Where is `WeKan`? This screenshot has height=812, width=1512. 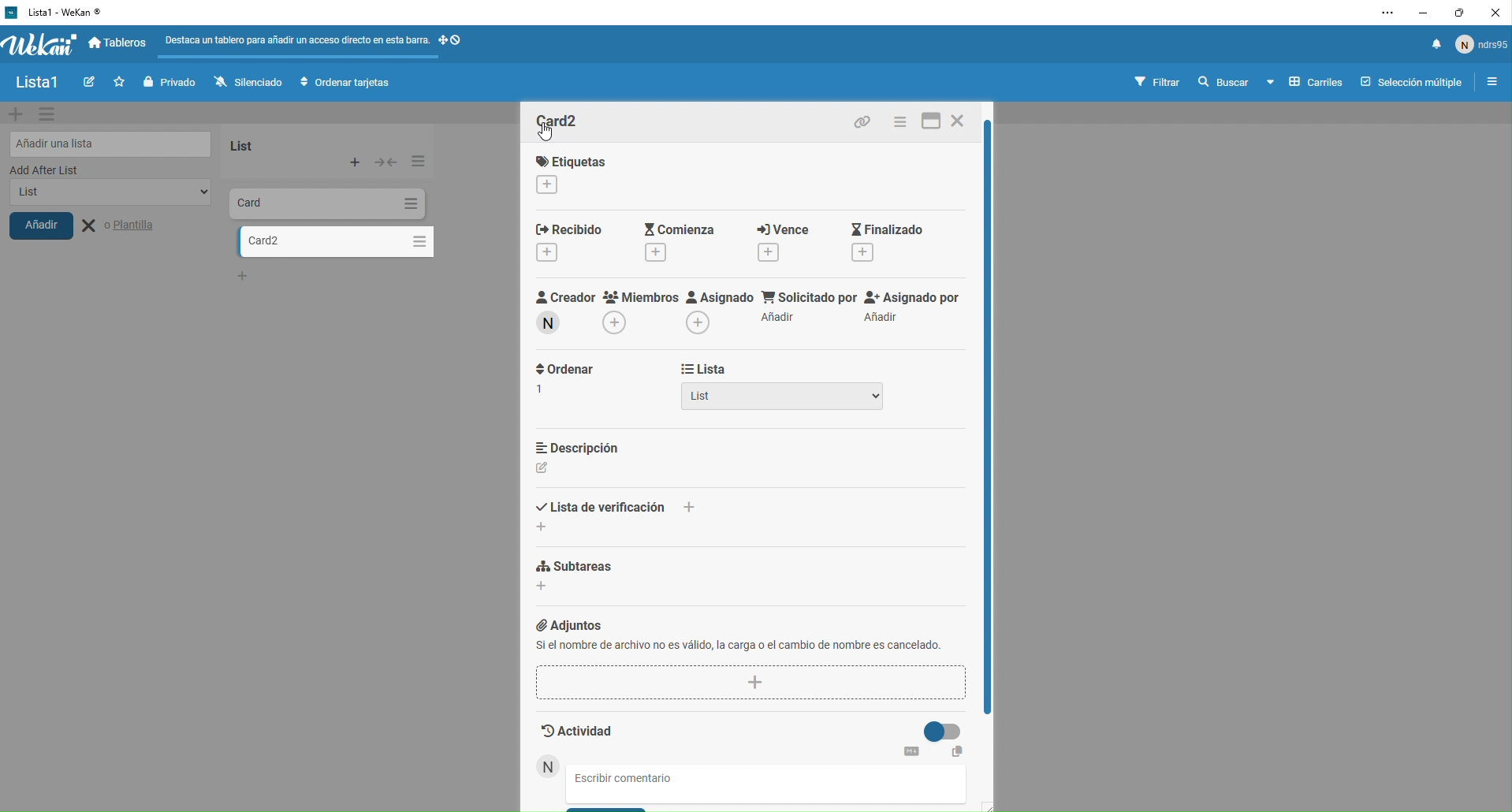
WeKan is located at coordinates (55, 12).